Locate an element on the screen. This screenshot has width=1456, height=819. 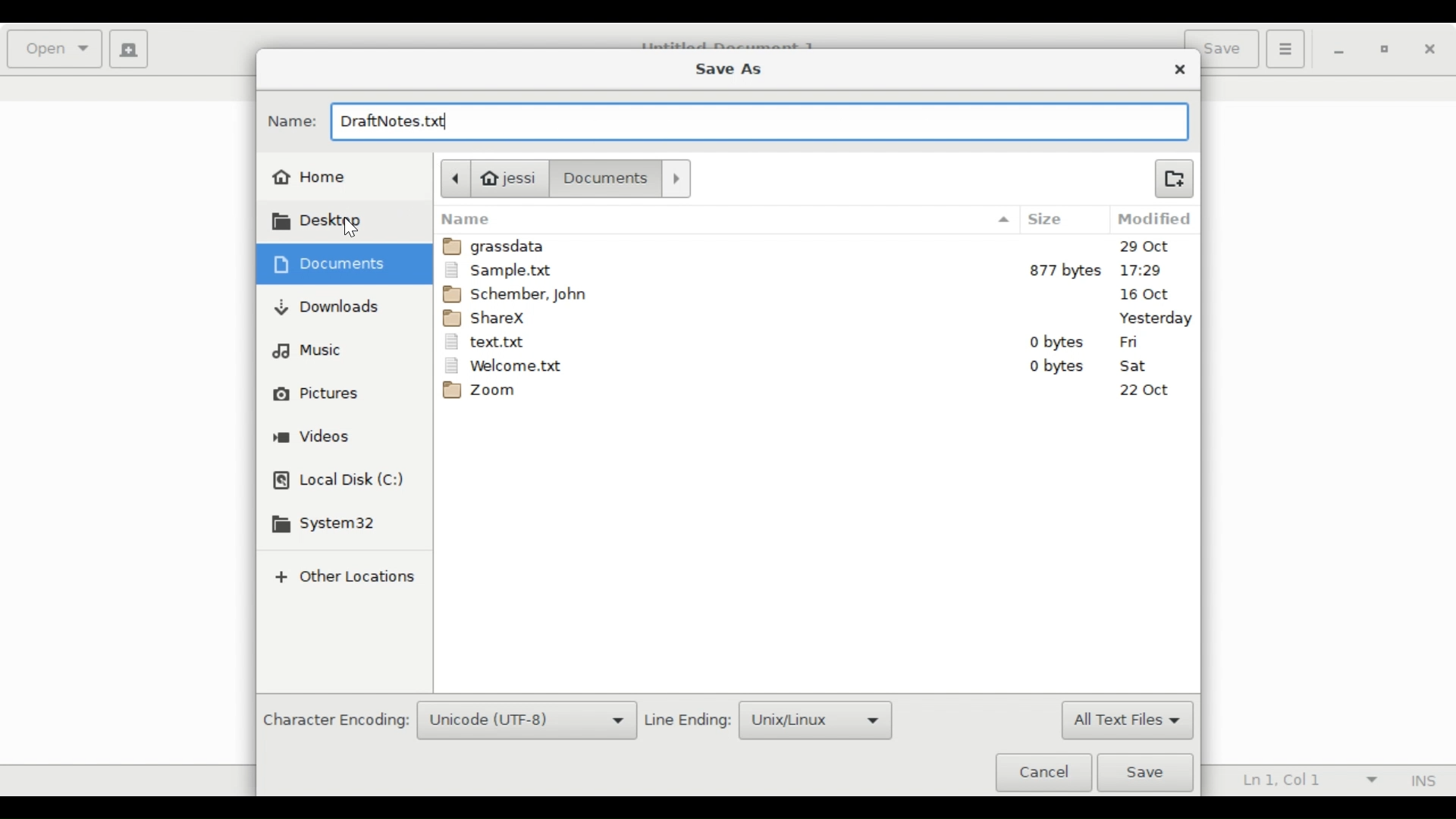
Save is located at coordinates (1150, 773).